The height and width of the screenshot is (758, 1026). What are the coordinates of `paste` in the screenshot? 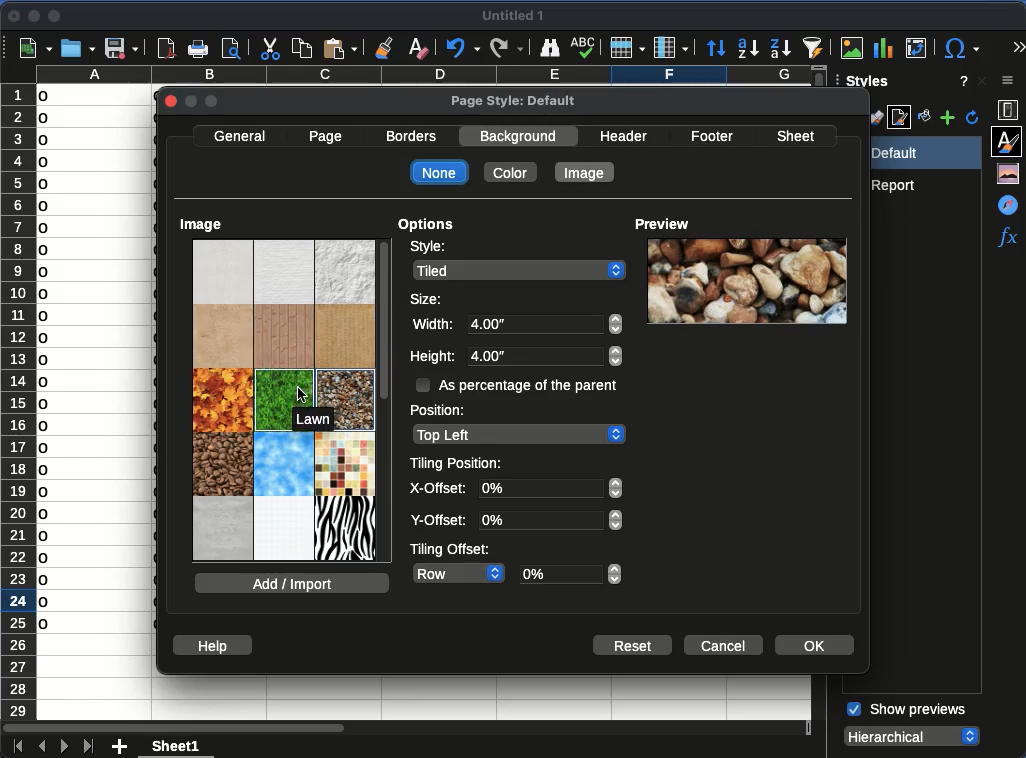 It's located at (341, 47).